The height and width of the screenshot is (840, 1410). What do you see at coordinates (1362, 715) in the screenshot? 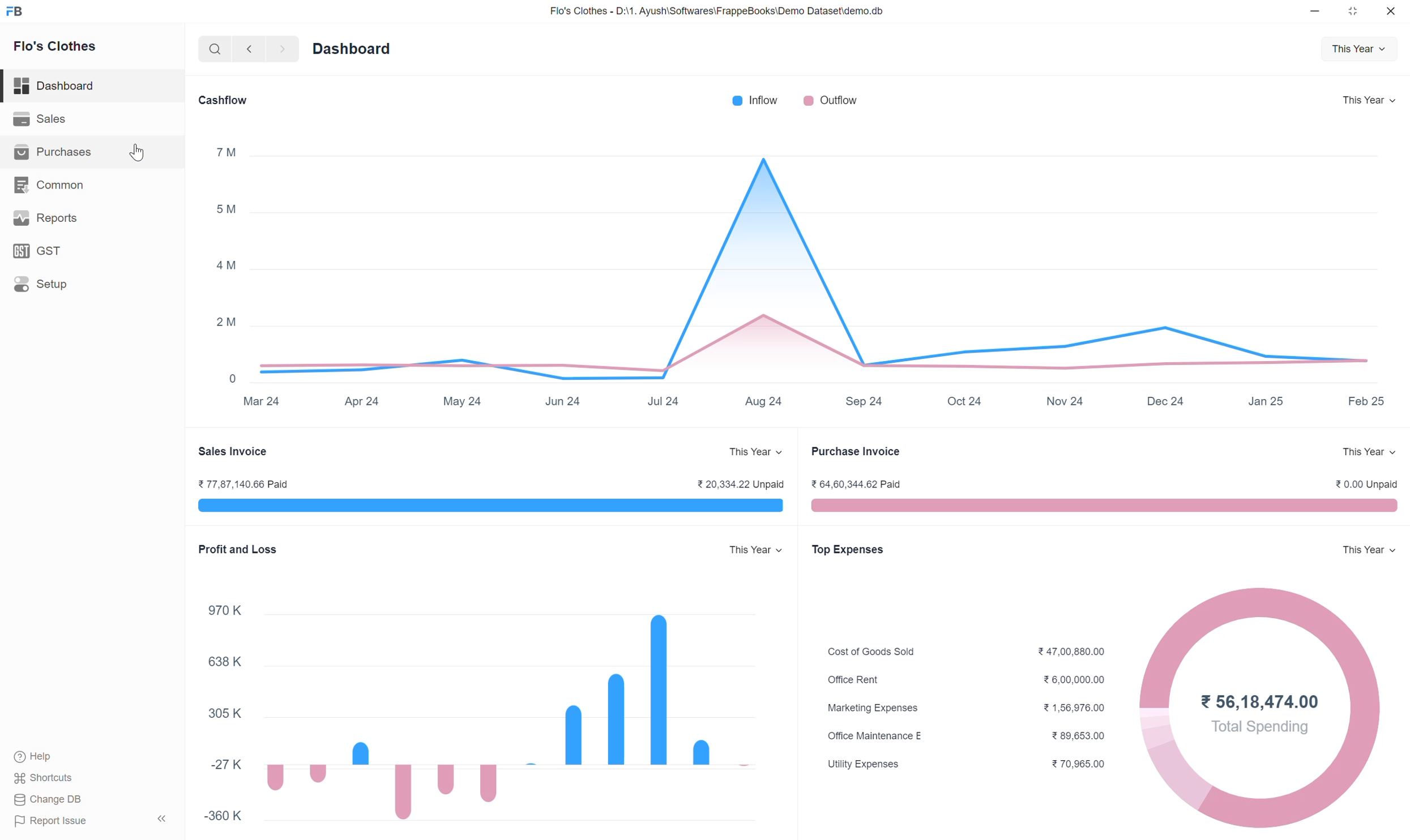
I see `Total spending graph` at bounding box center [1362, 715].